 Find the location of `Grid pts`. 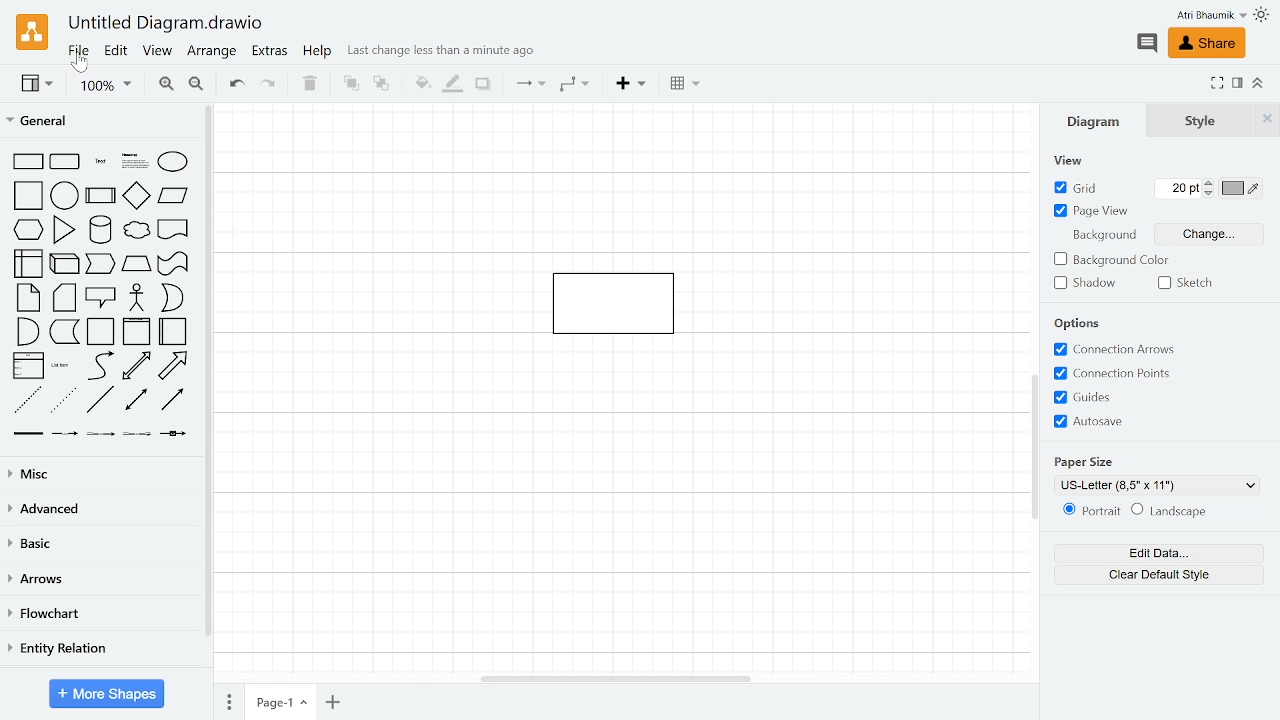

Grid pts is located at coordinates (1179, 189).